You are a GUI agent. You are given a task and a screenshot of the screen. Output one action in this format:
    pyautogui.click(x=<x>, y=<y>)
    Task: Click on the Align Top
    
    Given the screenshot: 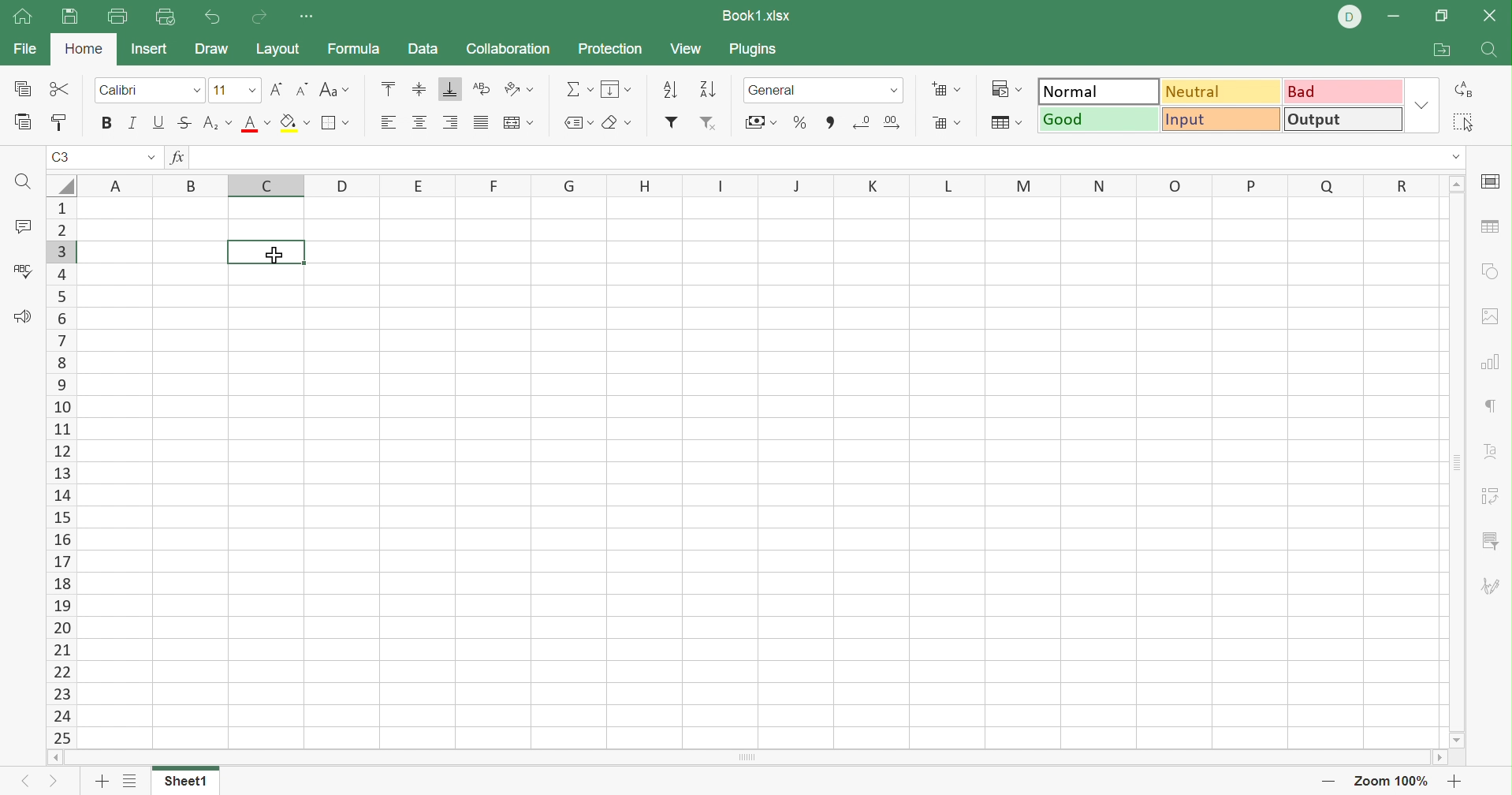 What is the action you would take?
    pyautogui.click(x=392, y=86)
    